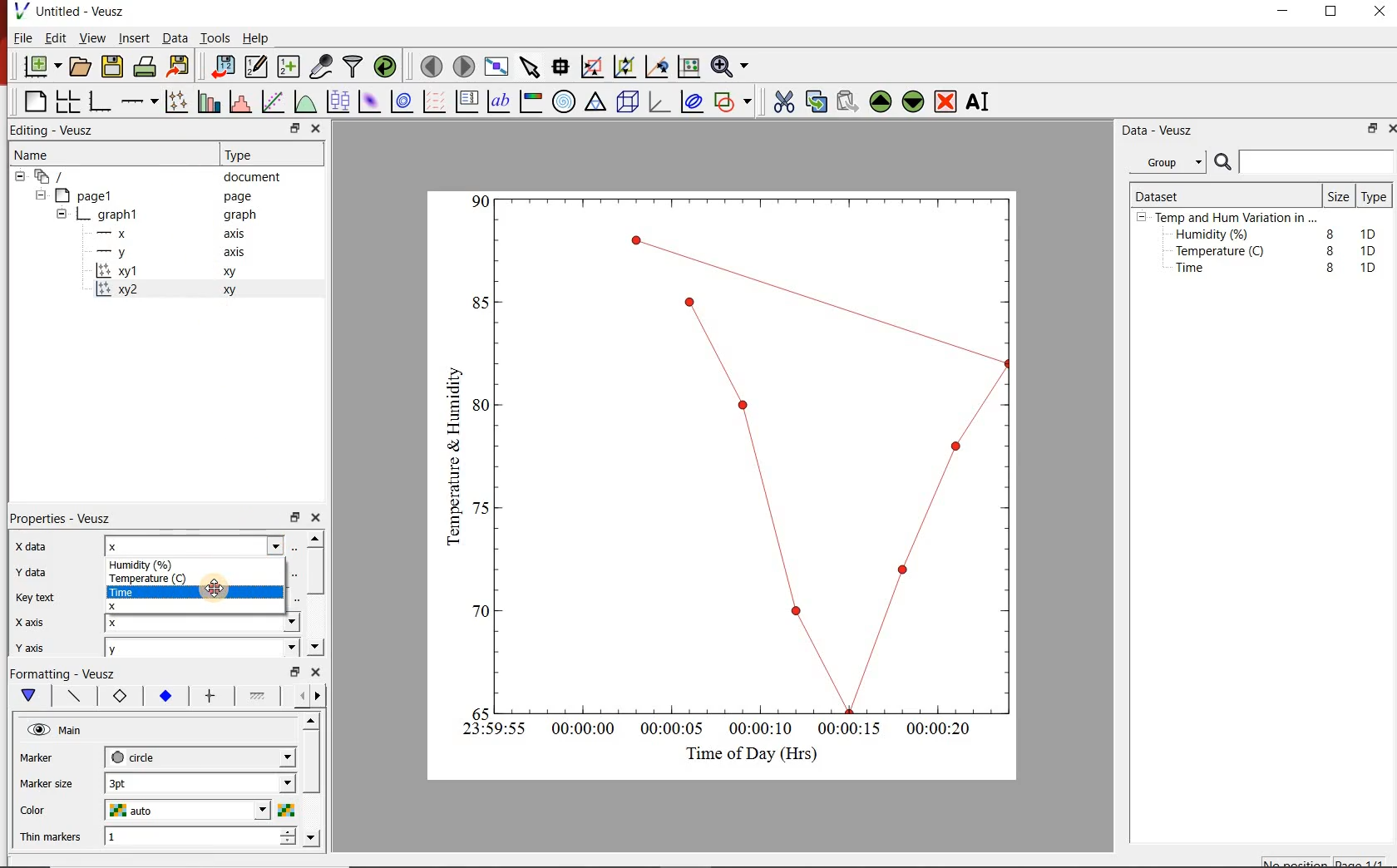  Describe the element at coordinates (140, 604) in the screenshot. I see `x` at that location.